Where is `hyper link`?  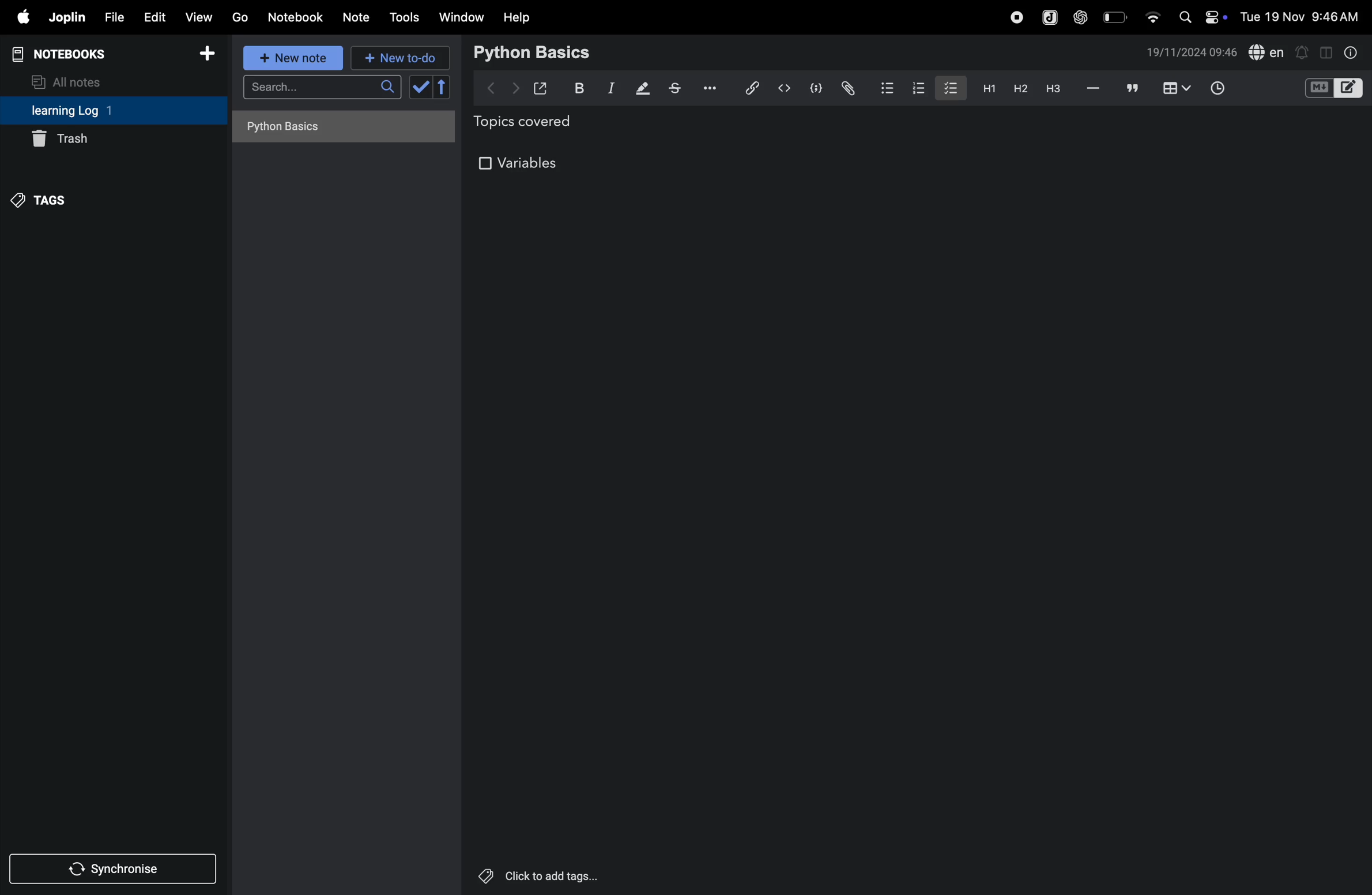 hyper link is located at coordinates (751, 88).